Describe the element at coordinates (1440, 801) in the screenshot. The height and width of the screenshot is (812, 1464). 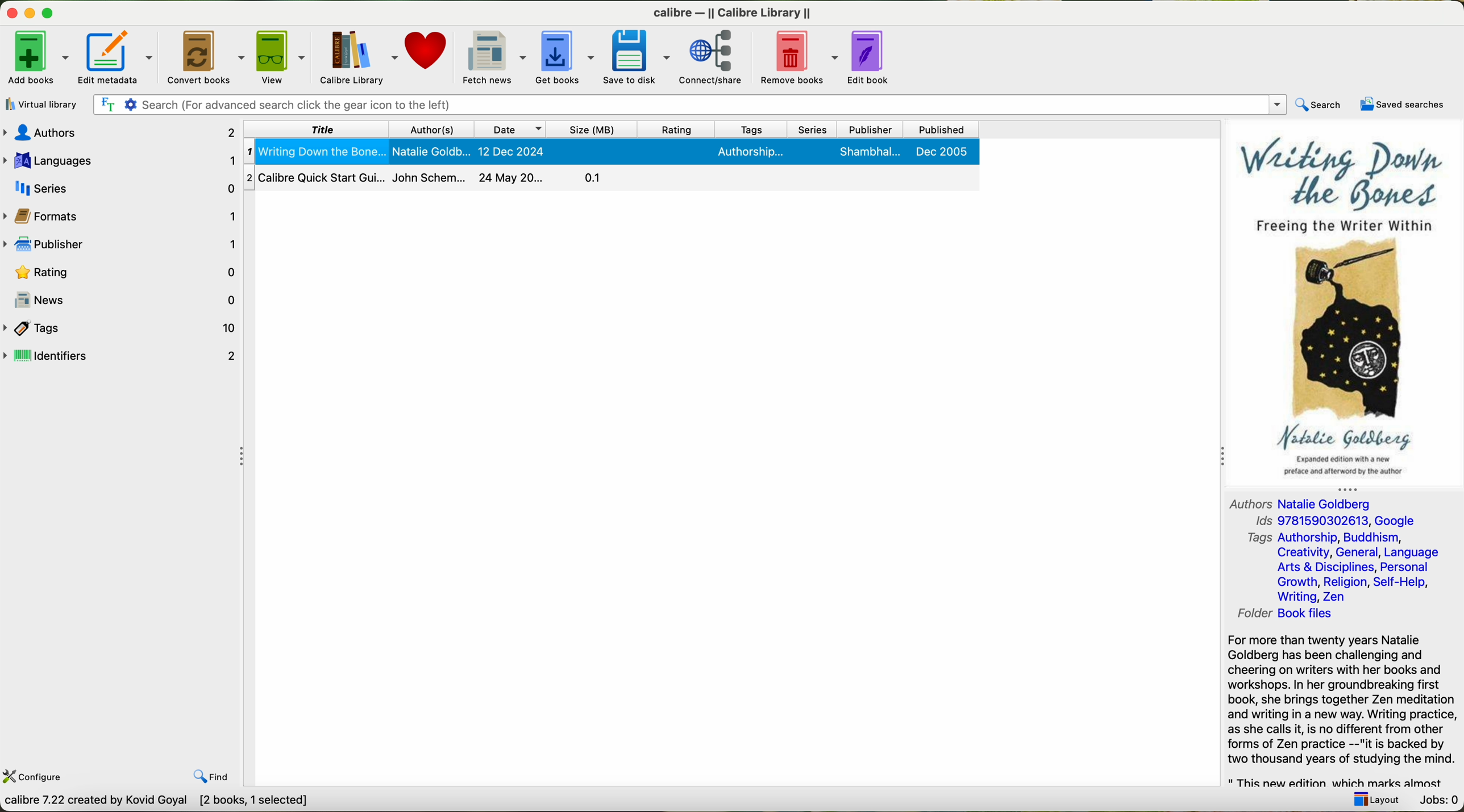
I see `Jobs: 0` at that location.